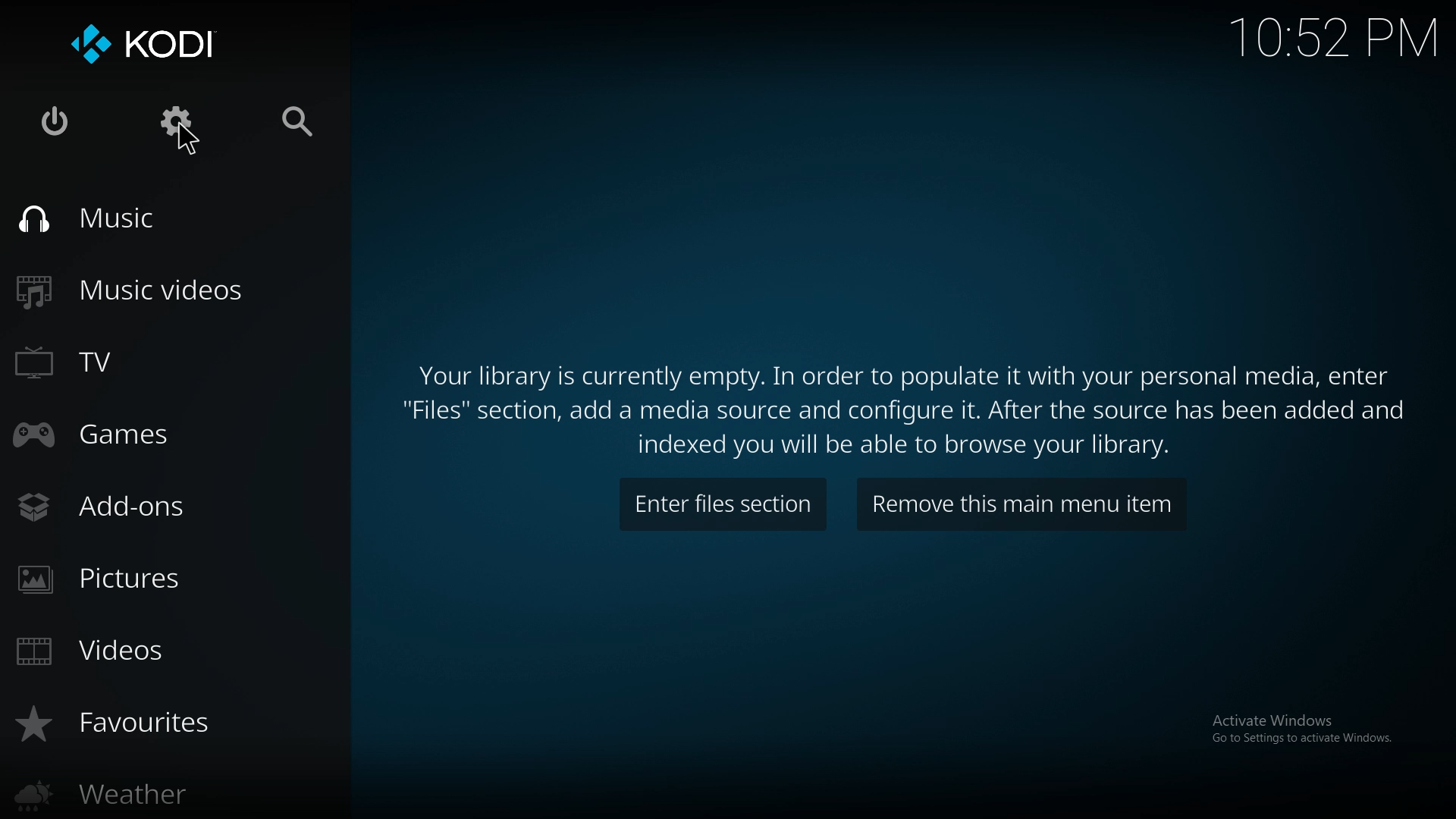 The height and width of the screenshot is (819, 1456). I want to click on games, so click(147, 434).